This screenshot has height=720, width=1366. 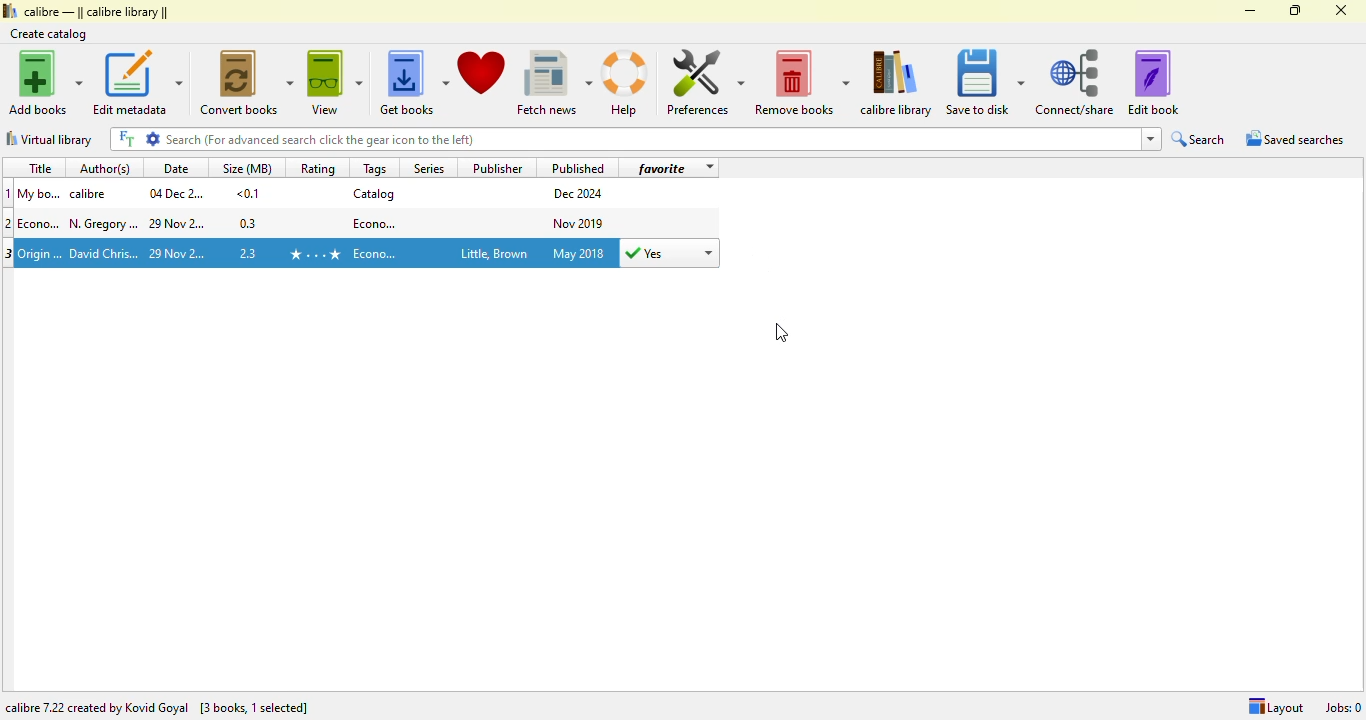 What do you see at coordinates (662, 168) in the screenshot?
I see `favorite` at bounding box center [662, 168].